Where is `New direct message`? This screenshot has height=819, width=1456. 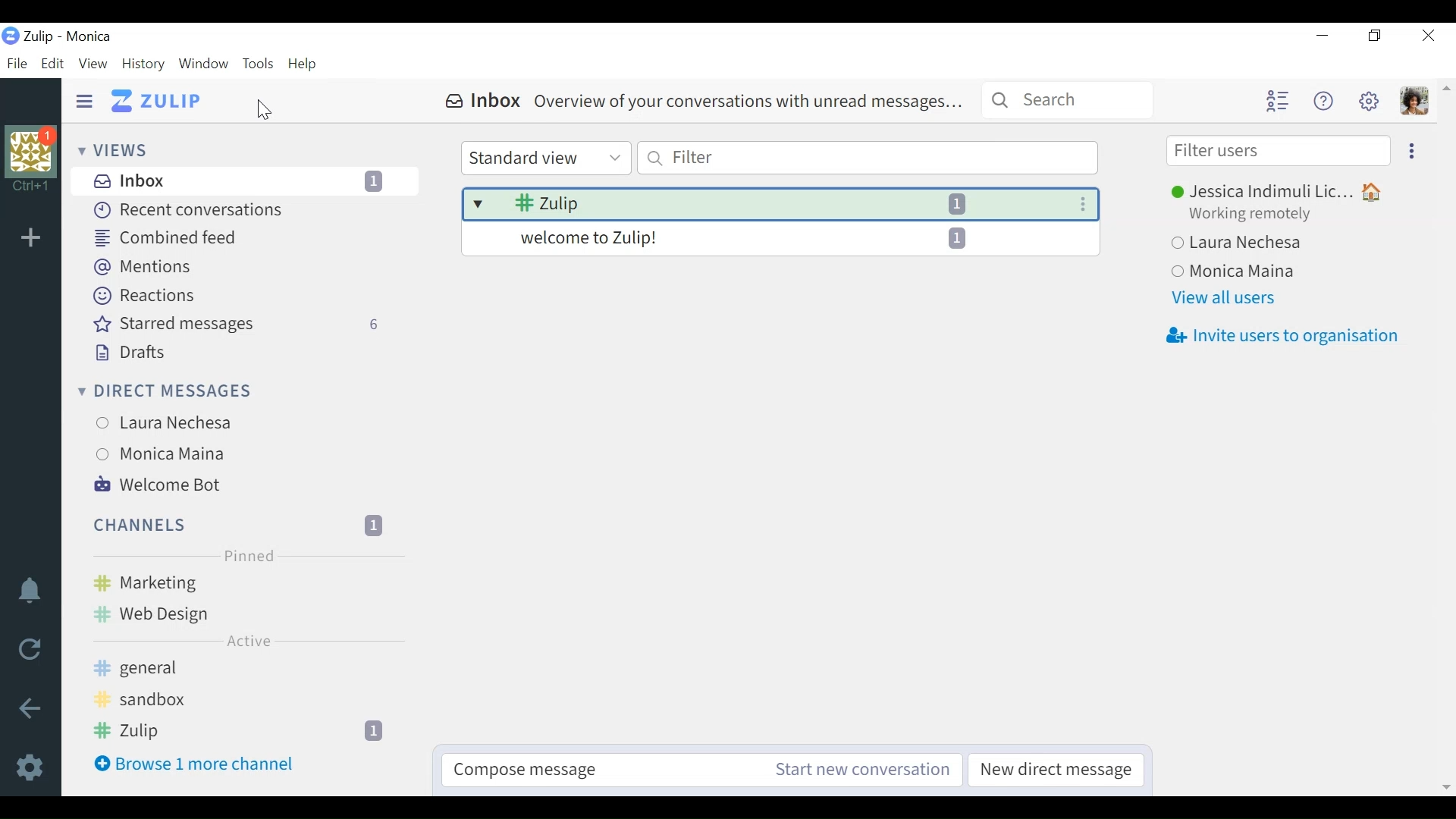 New direct message is located at coordinates (1054, 769).